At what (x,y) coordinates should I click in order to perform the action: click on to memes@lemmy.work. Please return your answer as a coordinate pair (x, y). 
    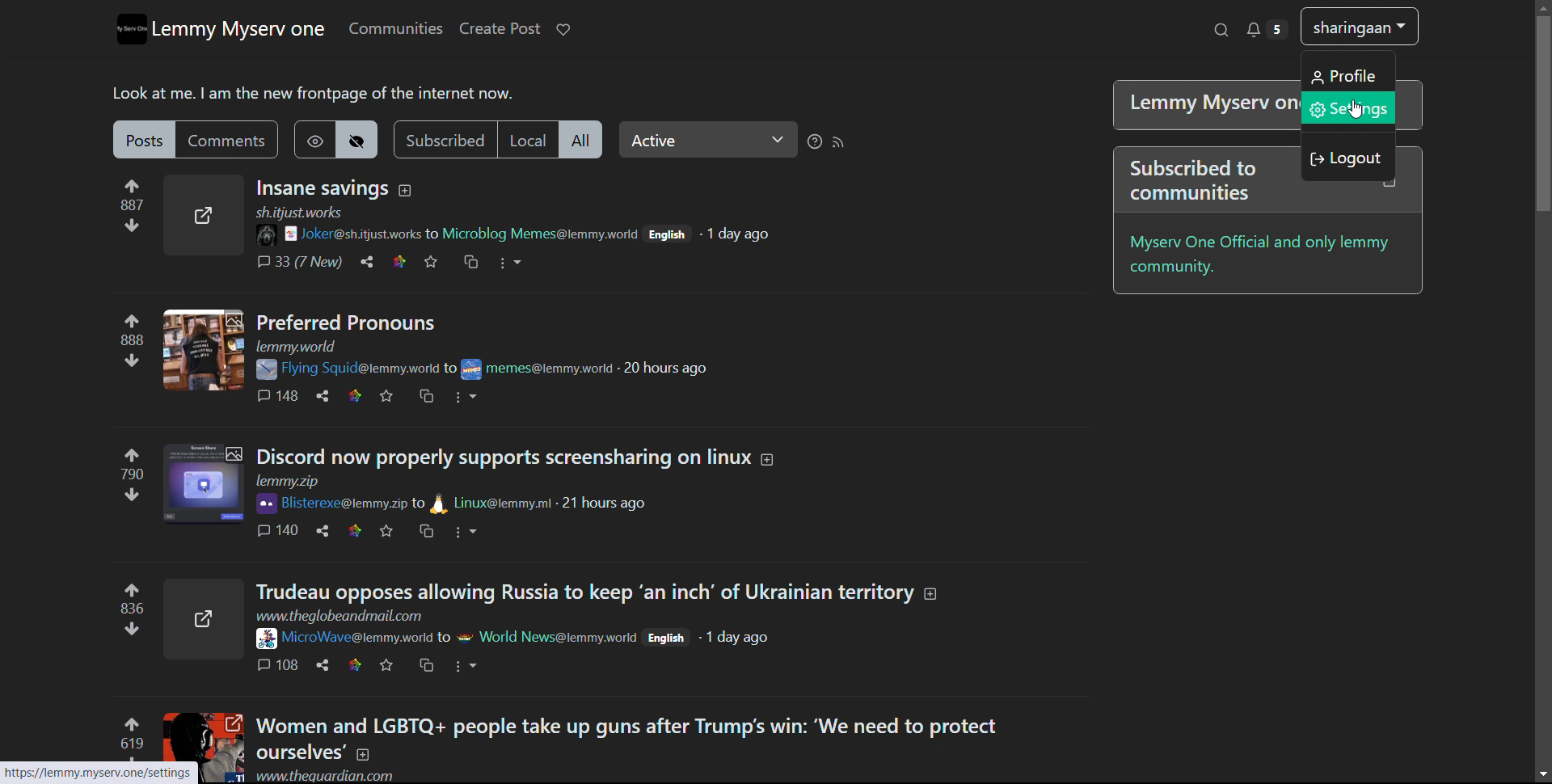
    Looking at the image, I should click on (529, 369).